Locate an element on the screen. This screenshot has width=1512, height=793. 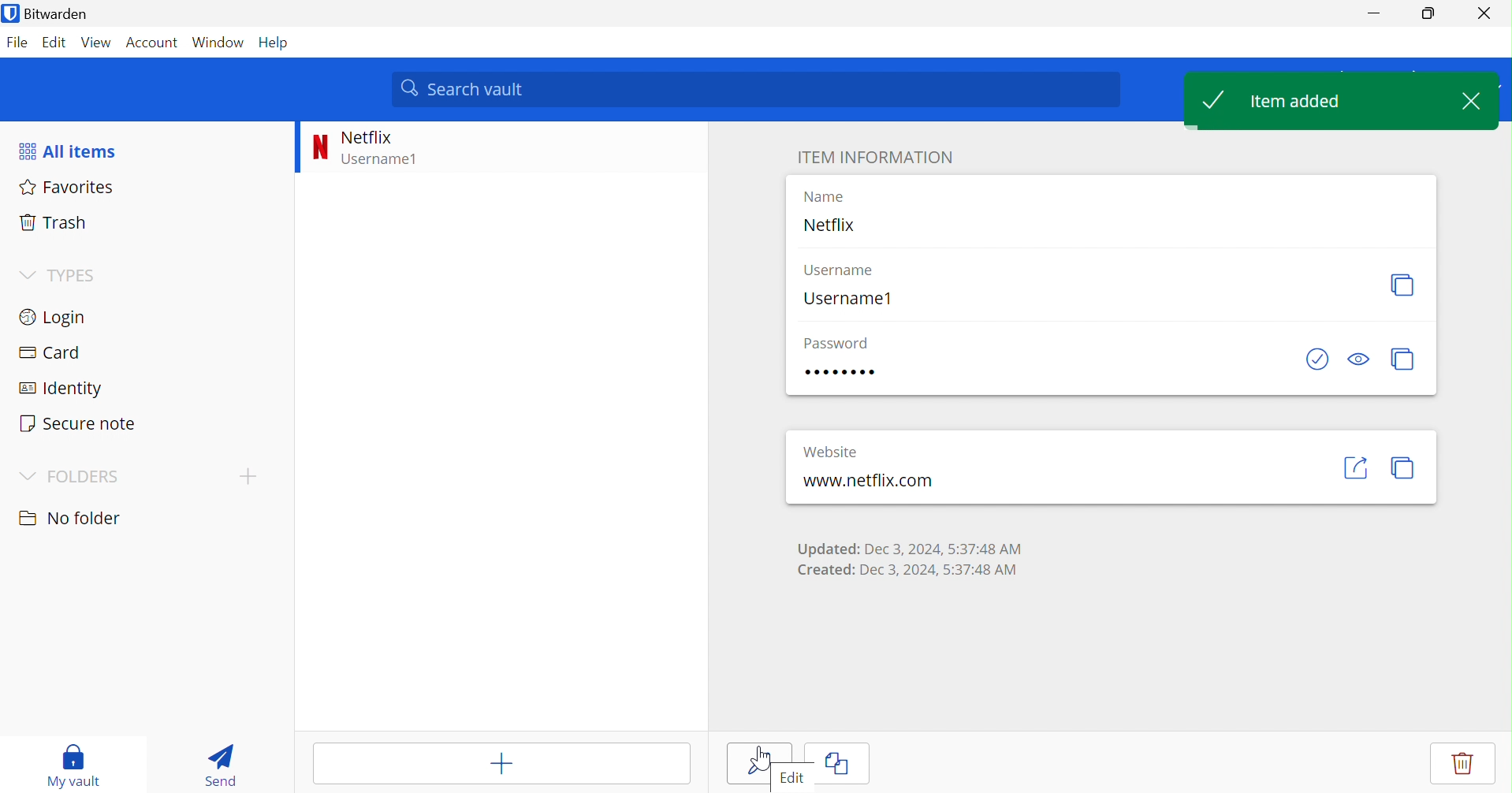
Add folder is located at coordinates (248, 477).